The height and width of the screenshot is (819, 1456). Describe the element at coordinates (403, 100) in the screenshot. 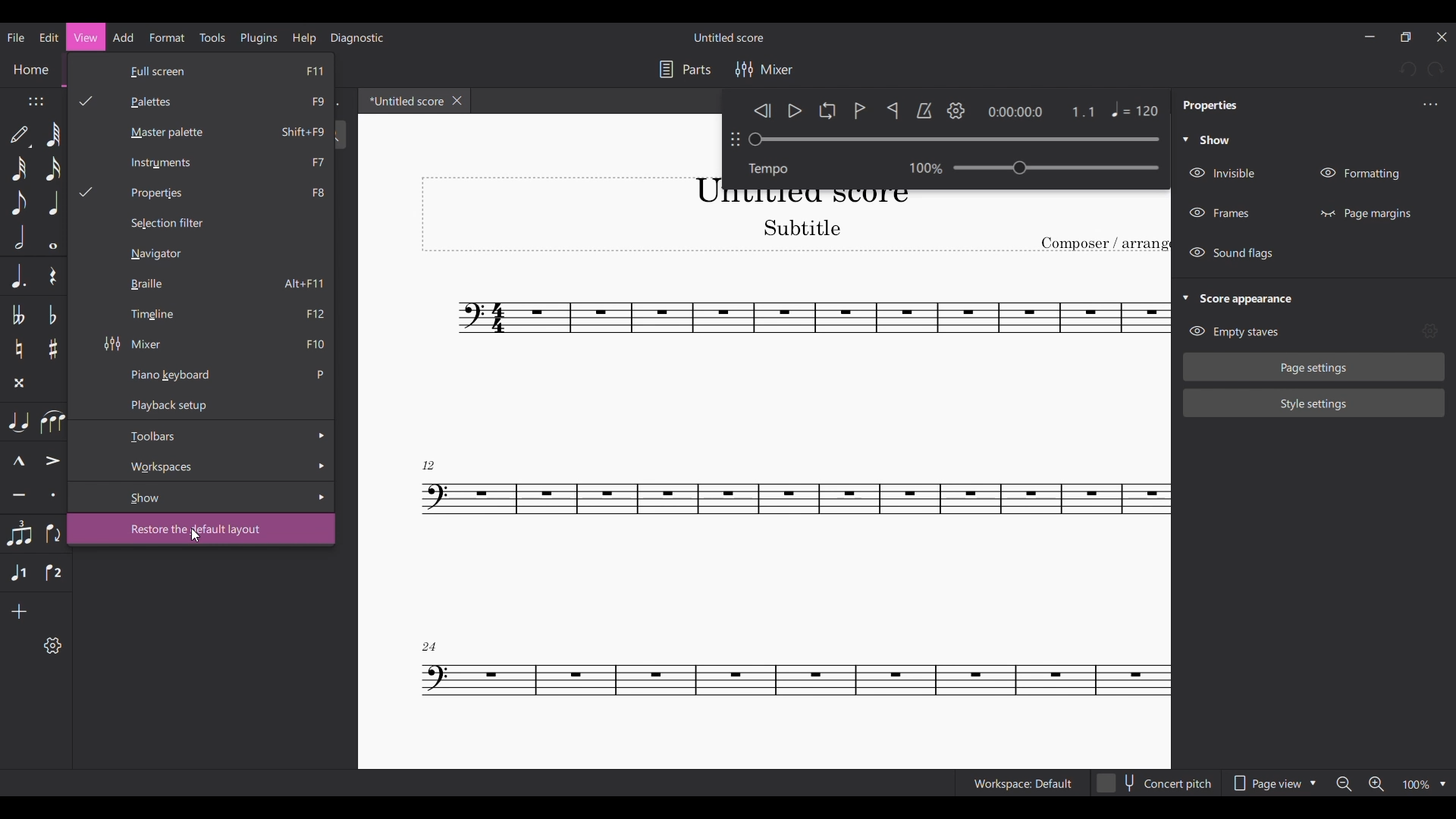

I see `*Untitled score` at that location.